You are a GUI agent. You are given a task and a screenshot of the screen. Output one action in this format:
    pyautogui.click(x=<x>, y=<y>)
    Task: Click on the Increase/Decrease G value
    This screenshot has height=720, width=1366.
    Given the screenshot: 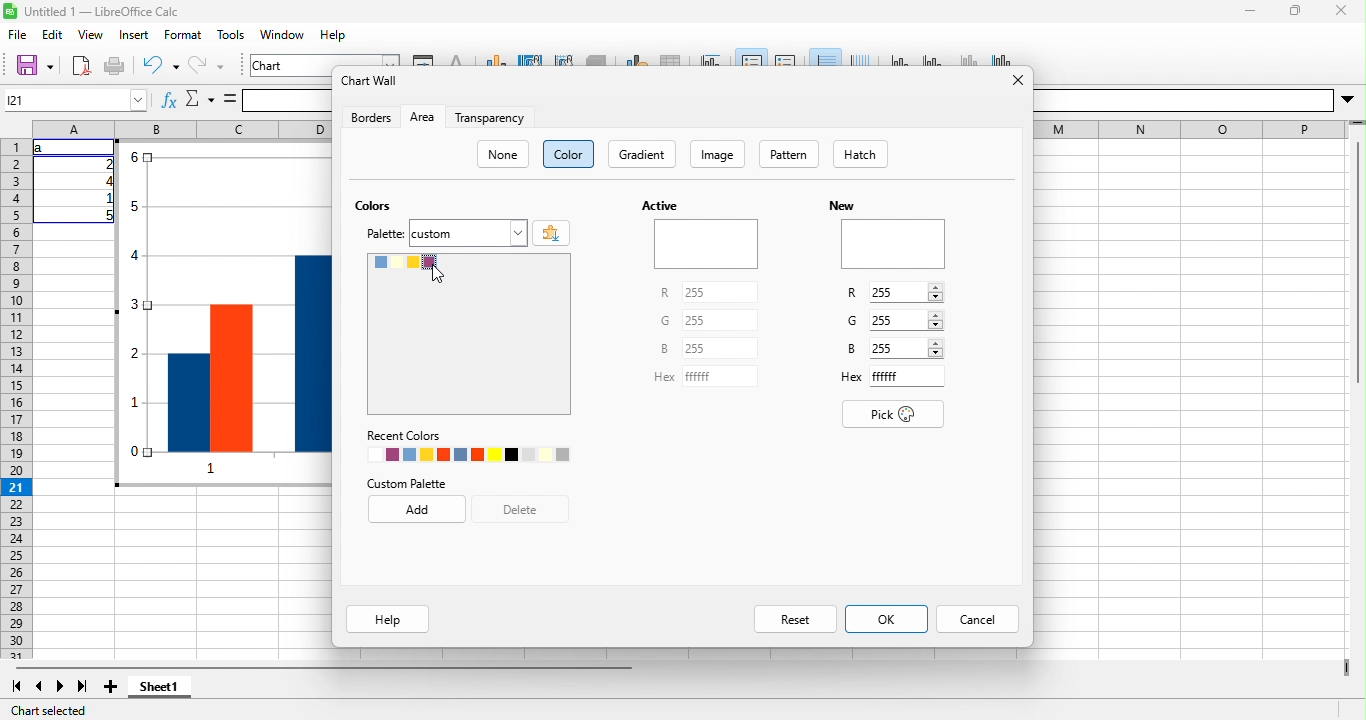 What is the action you would take?
    pyautogui.click(x=935, y=320)
    